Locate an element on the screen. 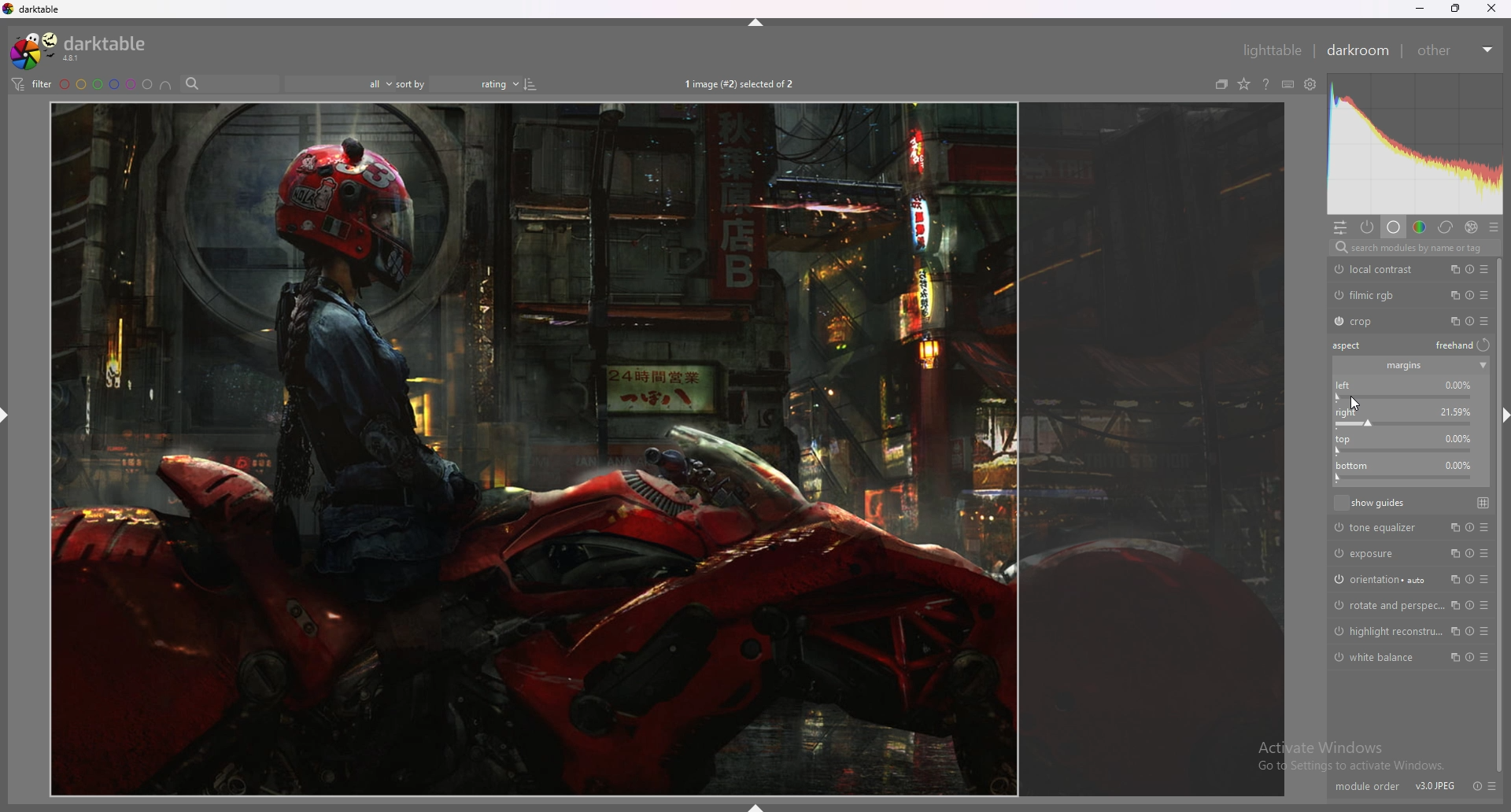  hide is located at coordinates (6, 416).